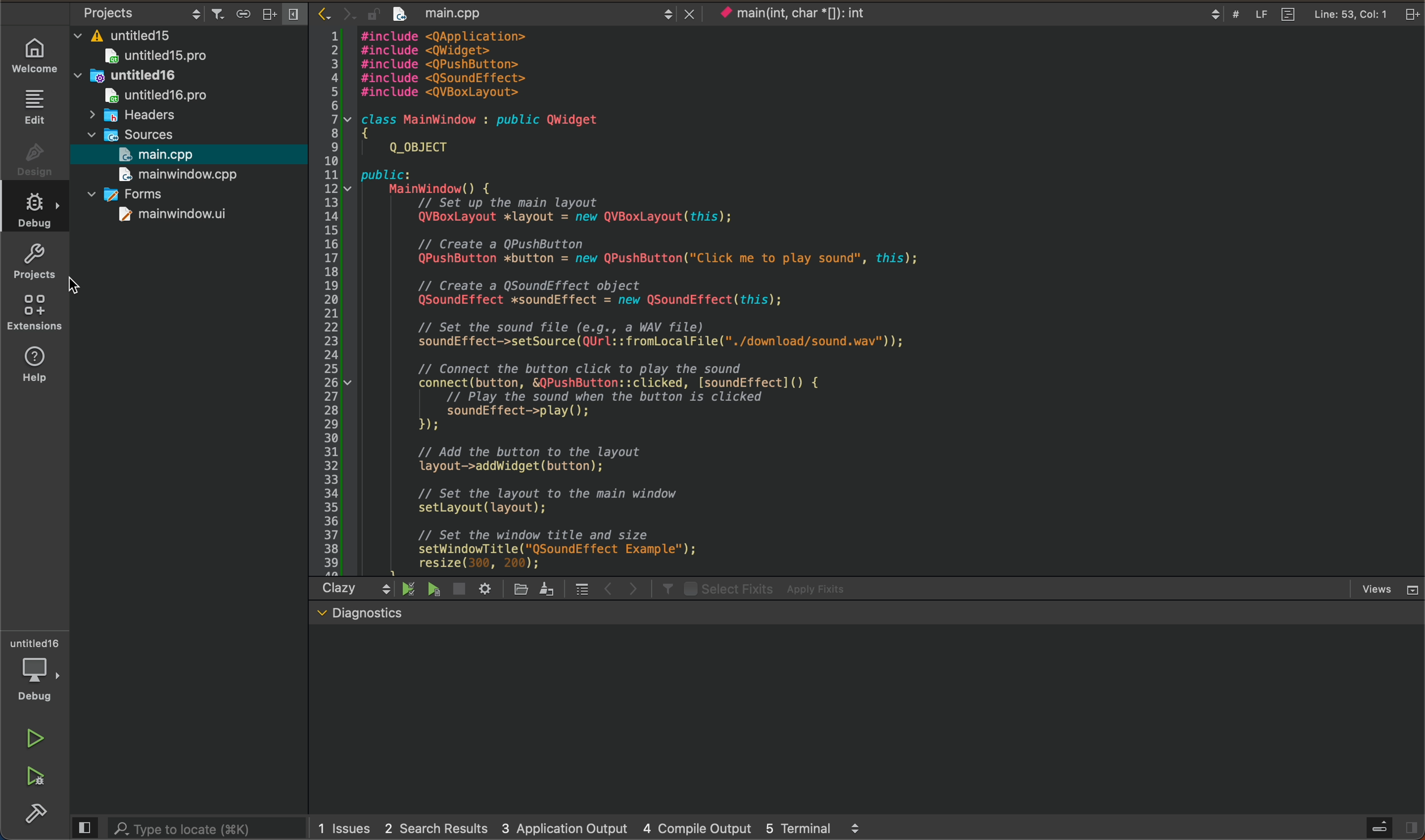 The image size is (1425, 840). Describe the element at coordinates (190, 828) in the screenshot. I see `search` at that location.